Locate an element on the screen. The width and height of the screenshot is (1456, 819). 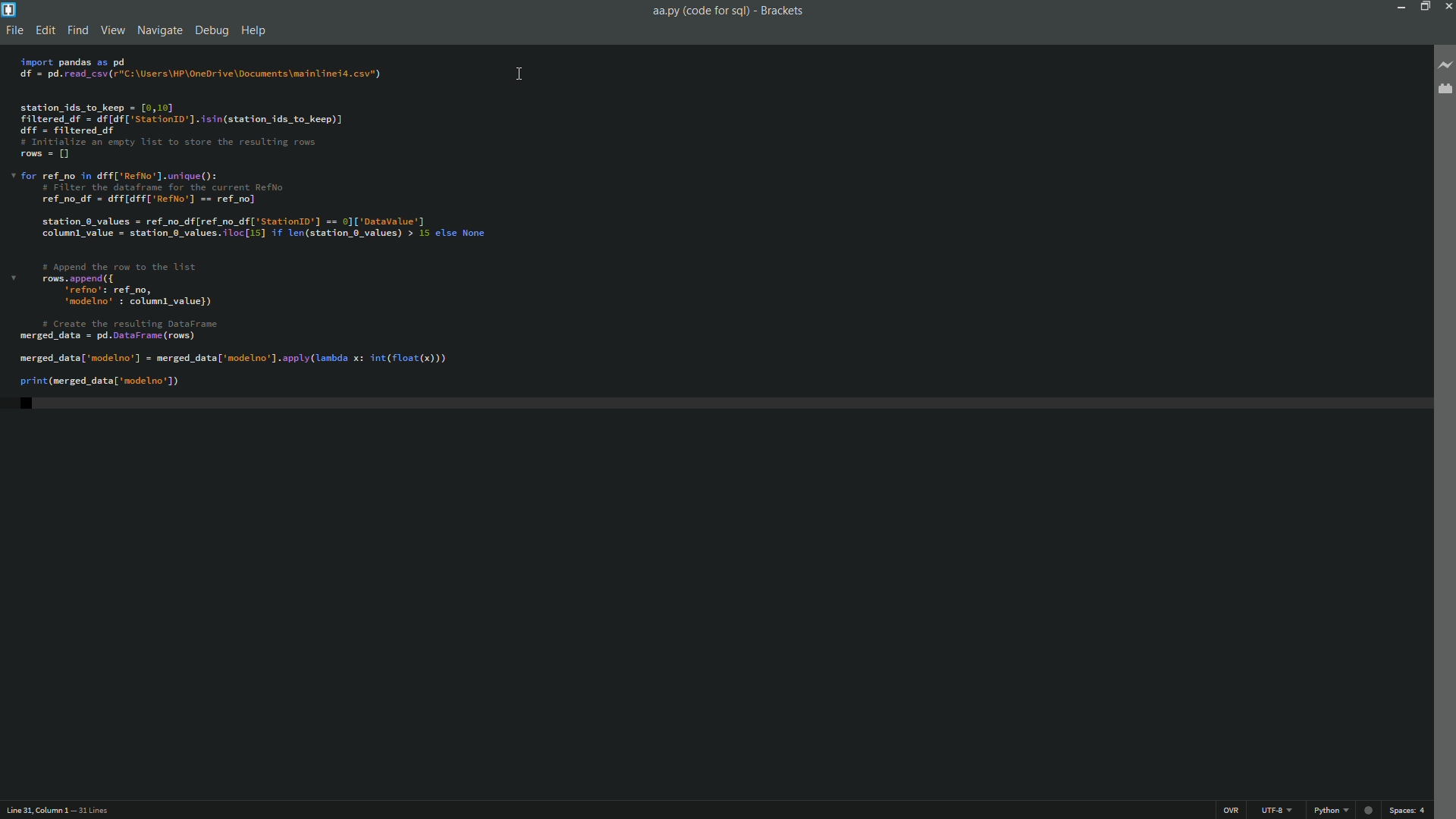
find menu is located at coordinates (78, 30).